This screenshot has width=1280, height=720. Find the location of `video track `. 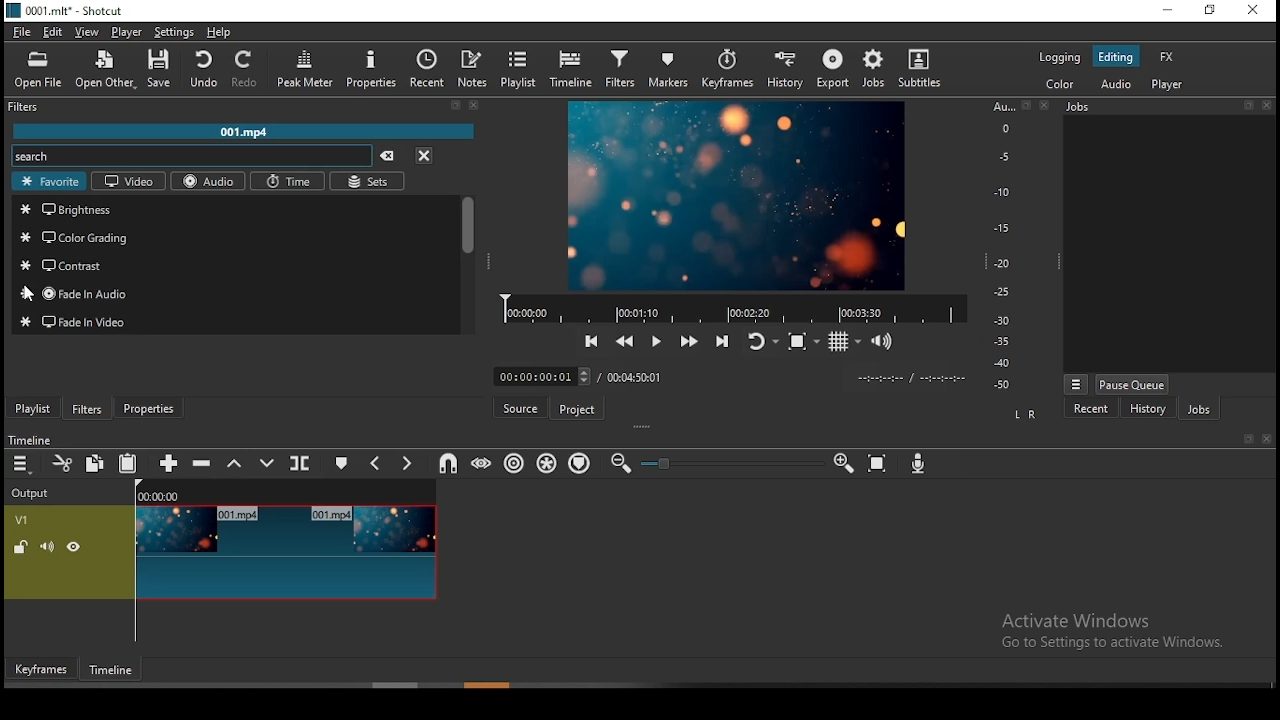

video track  is located at coordinates (220, 553).